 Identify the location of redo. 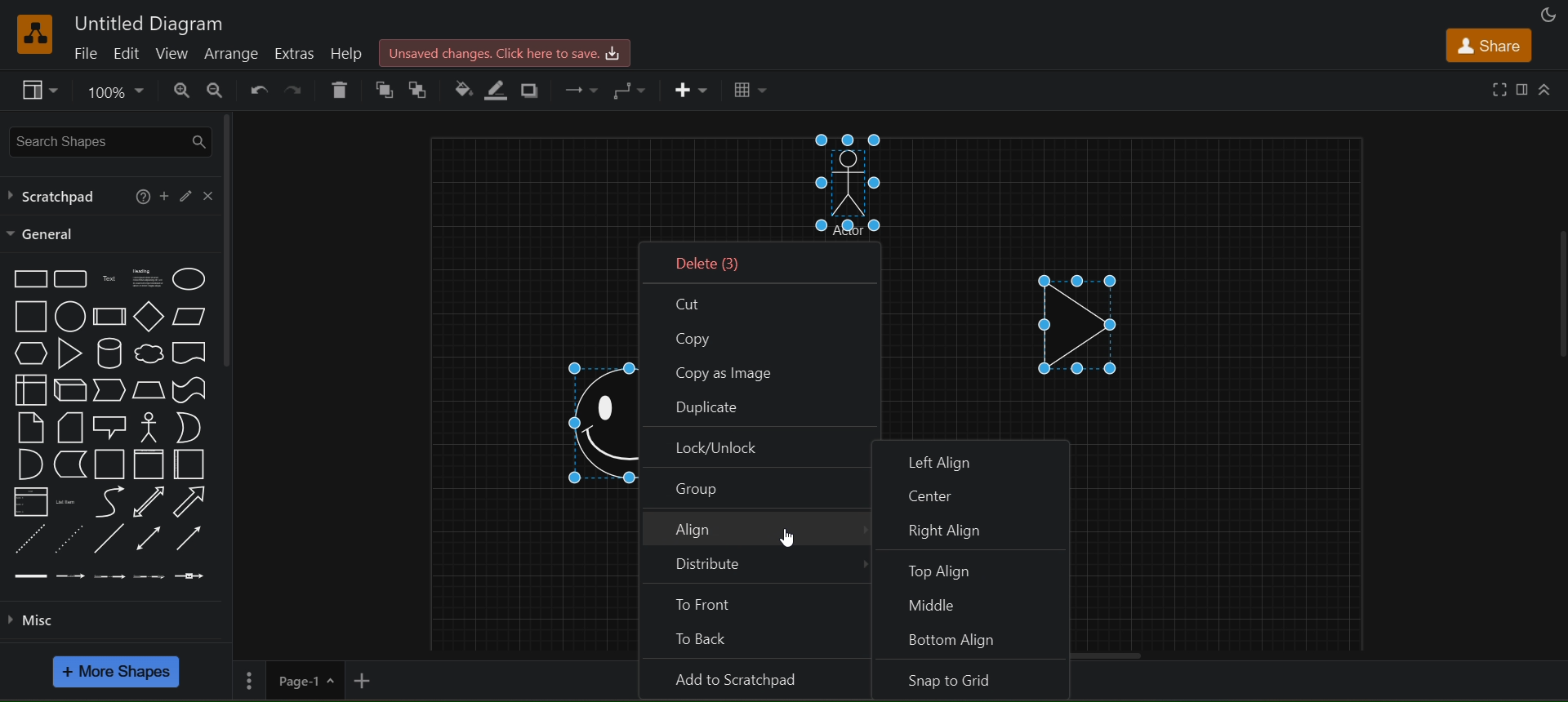
(297, 88).